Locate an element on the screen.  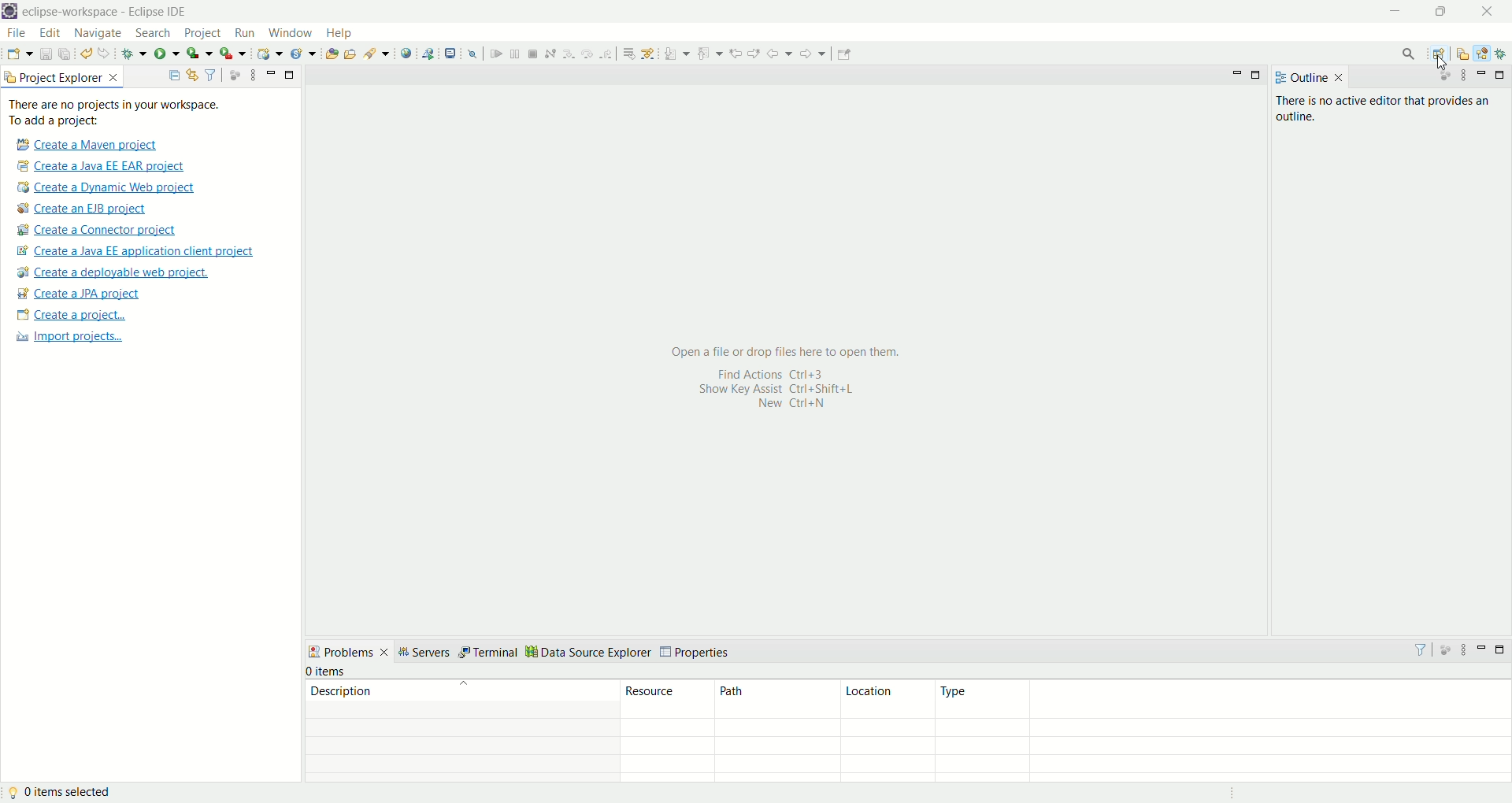
logo is located at coordinates (10, 12).